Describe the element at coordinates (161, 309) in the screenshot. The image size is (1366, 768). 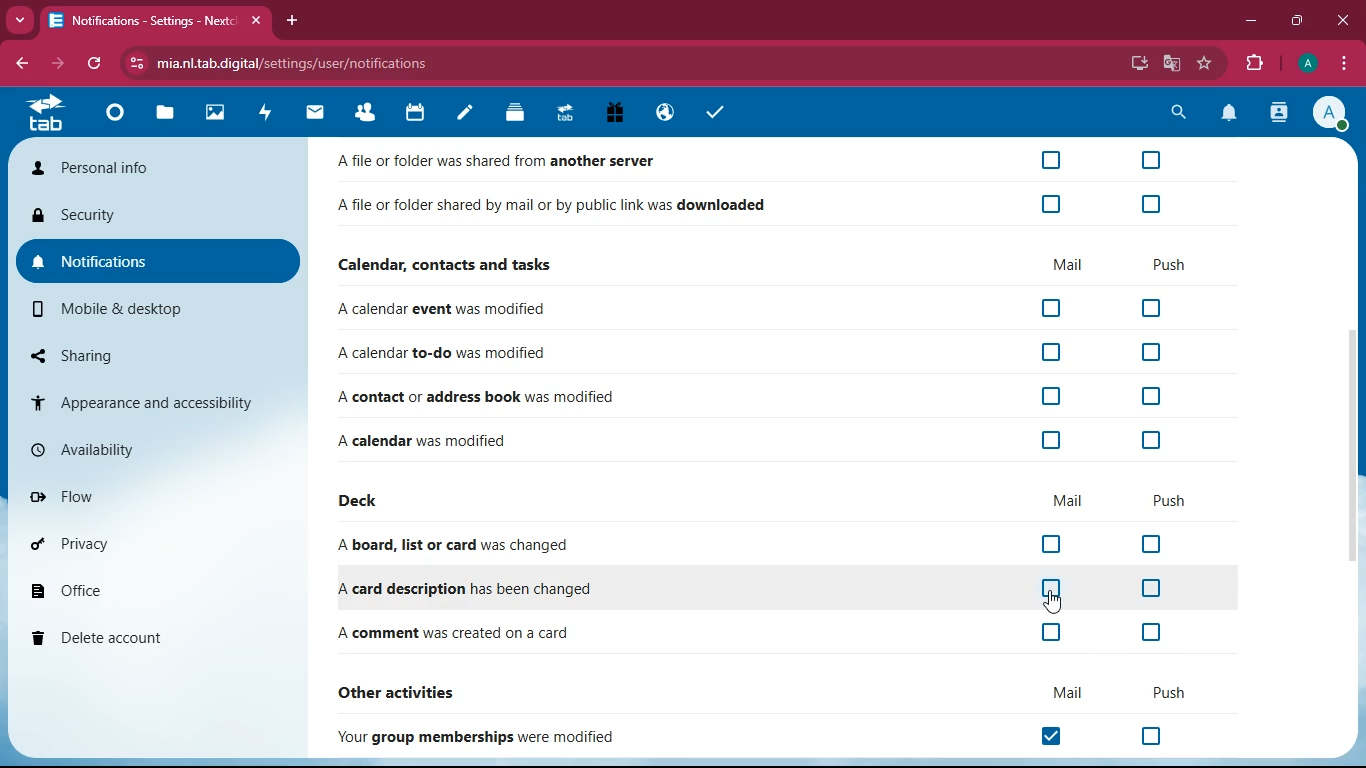
I see `mobile & desktop` at that location.